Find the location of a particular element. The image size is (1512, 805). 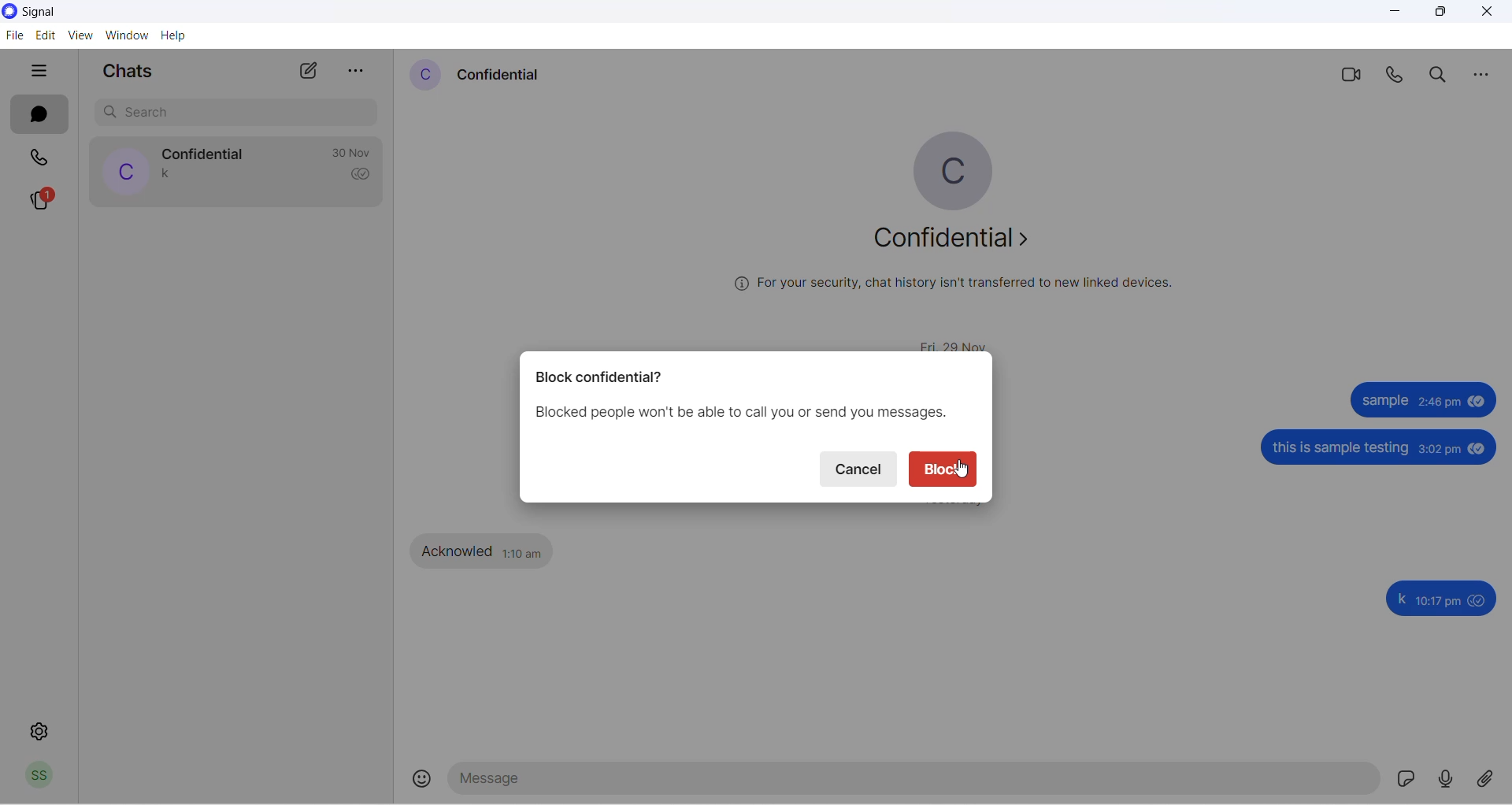

profile picture is located at coordinates (124, 170).